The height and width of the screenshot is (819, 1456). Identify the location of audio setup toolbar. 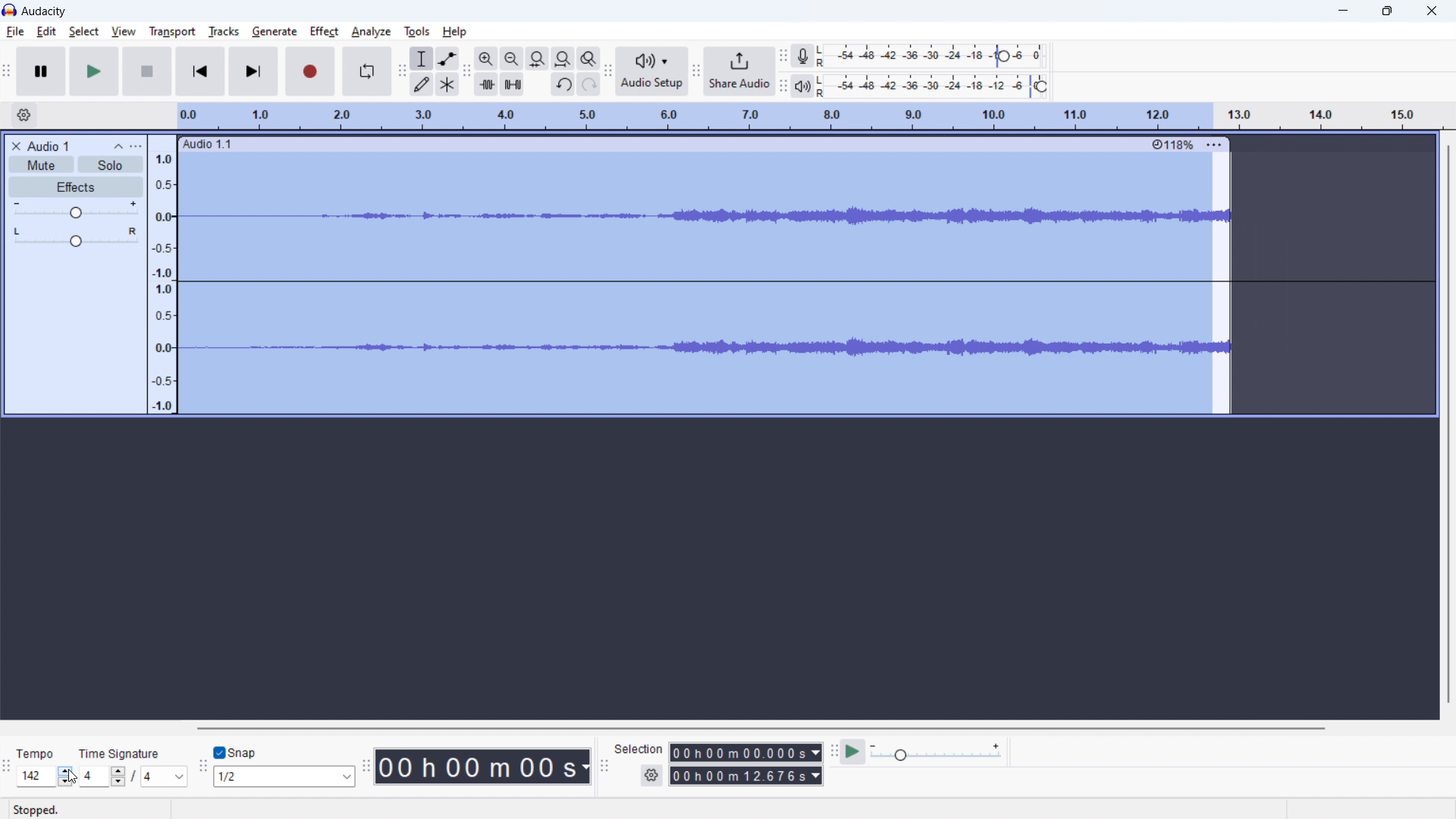
(607, 71).